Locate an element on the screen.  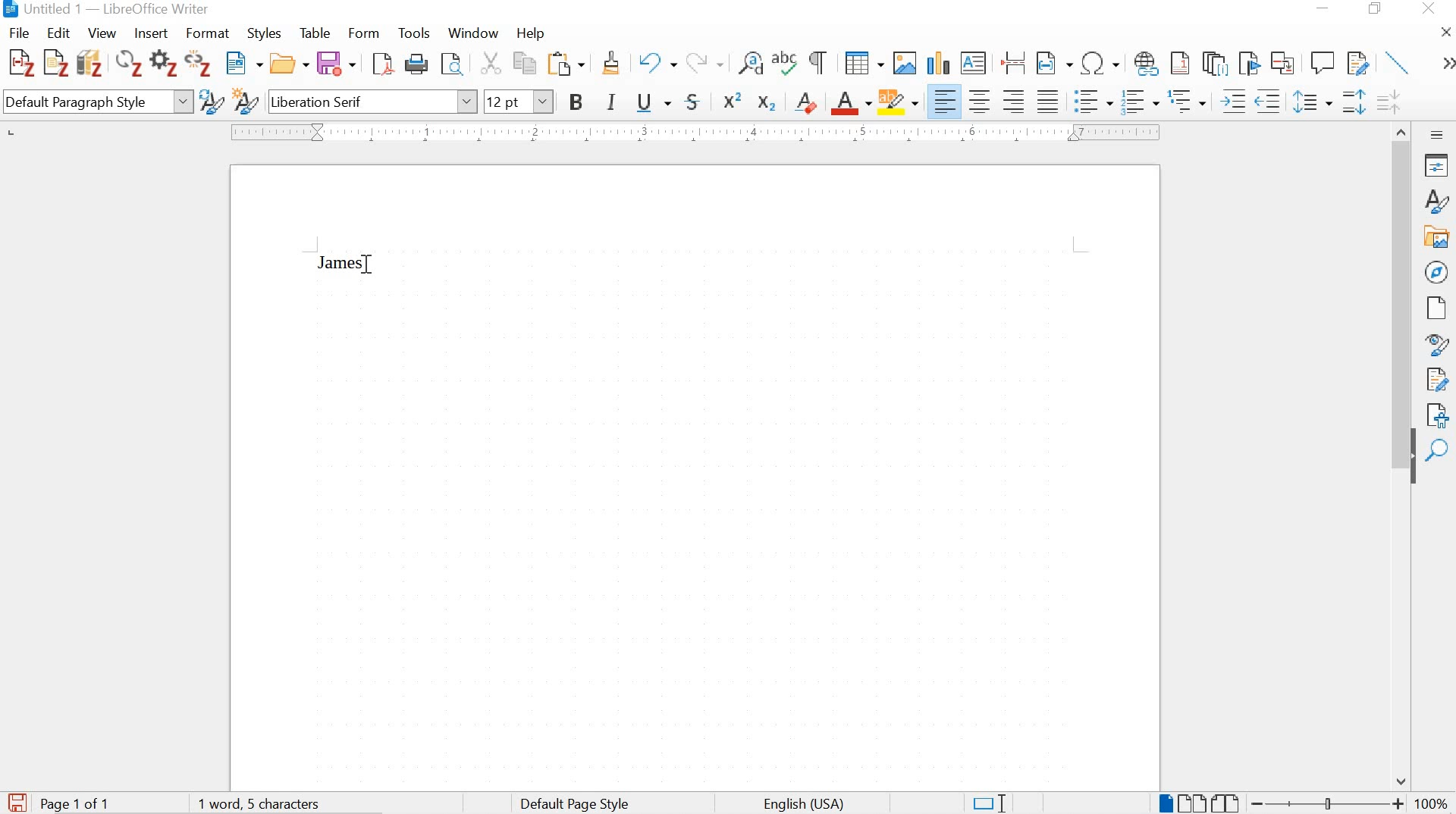
add/edit bibliography is located at coordinates (89, 62).